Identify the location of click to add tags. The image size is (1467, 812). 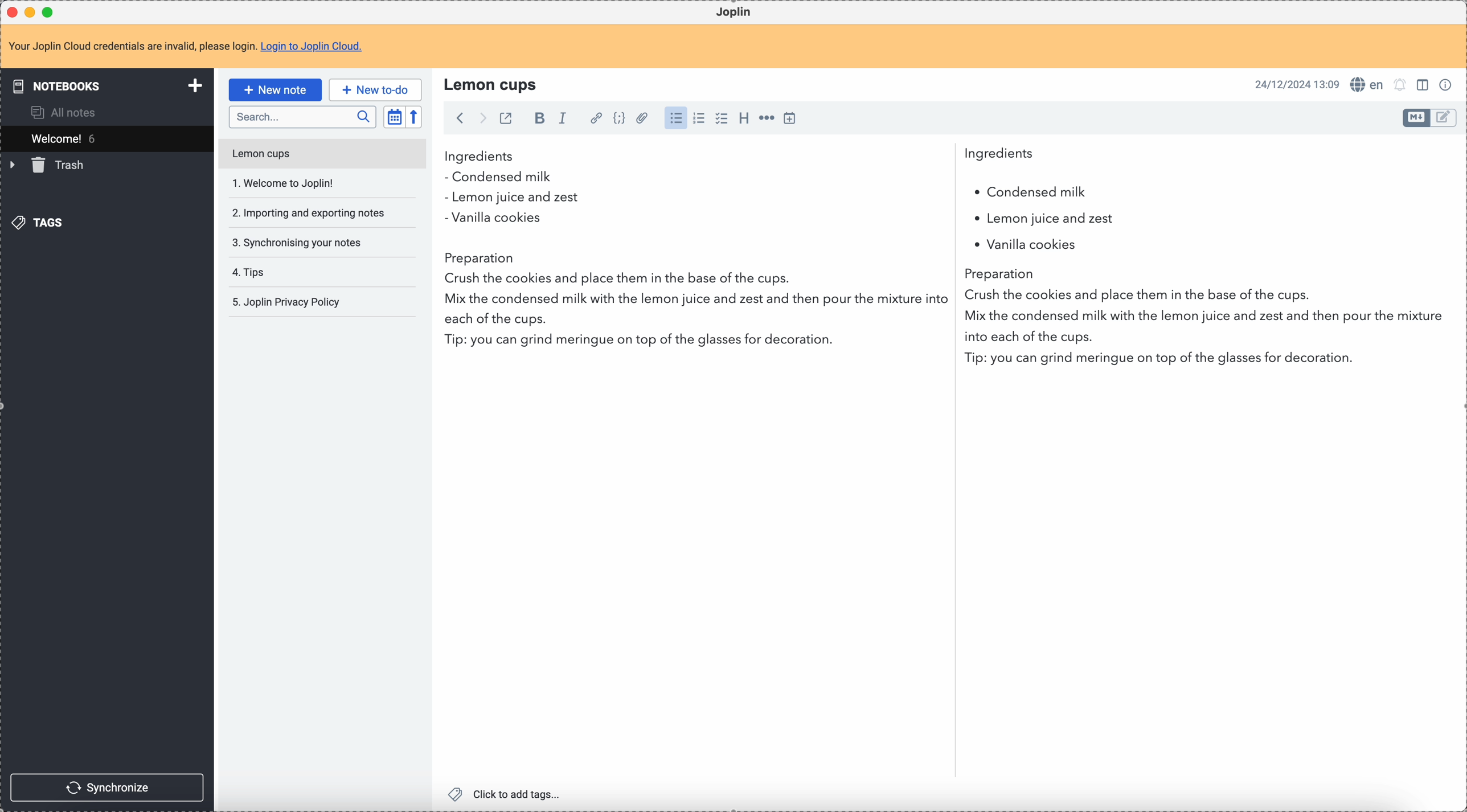
(507, 793).